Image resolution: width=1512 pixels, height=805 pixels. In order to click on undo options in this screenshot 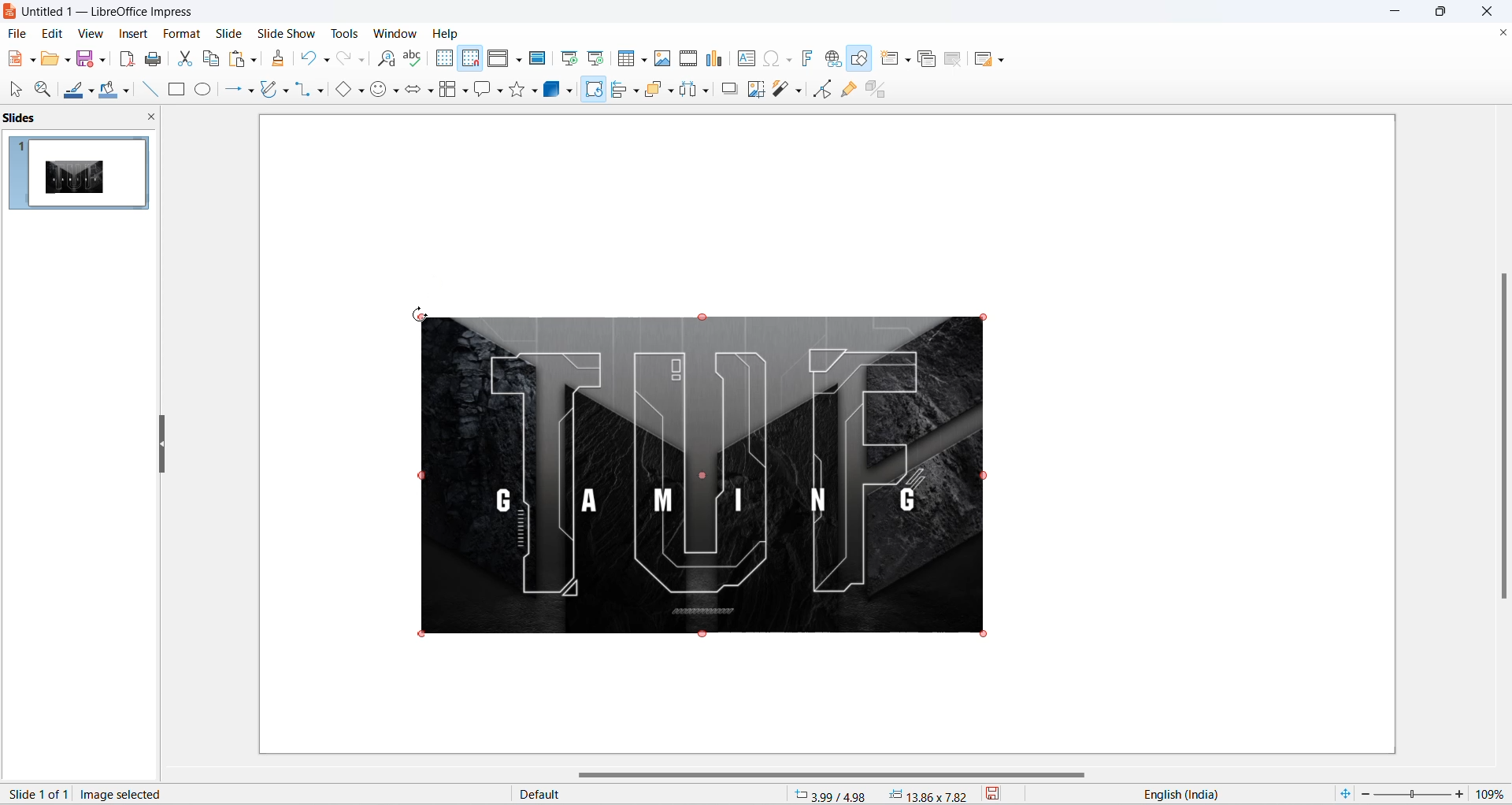, I will do `click(325, 61)`.